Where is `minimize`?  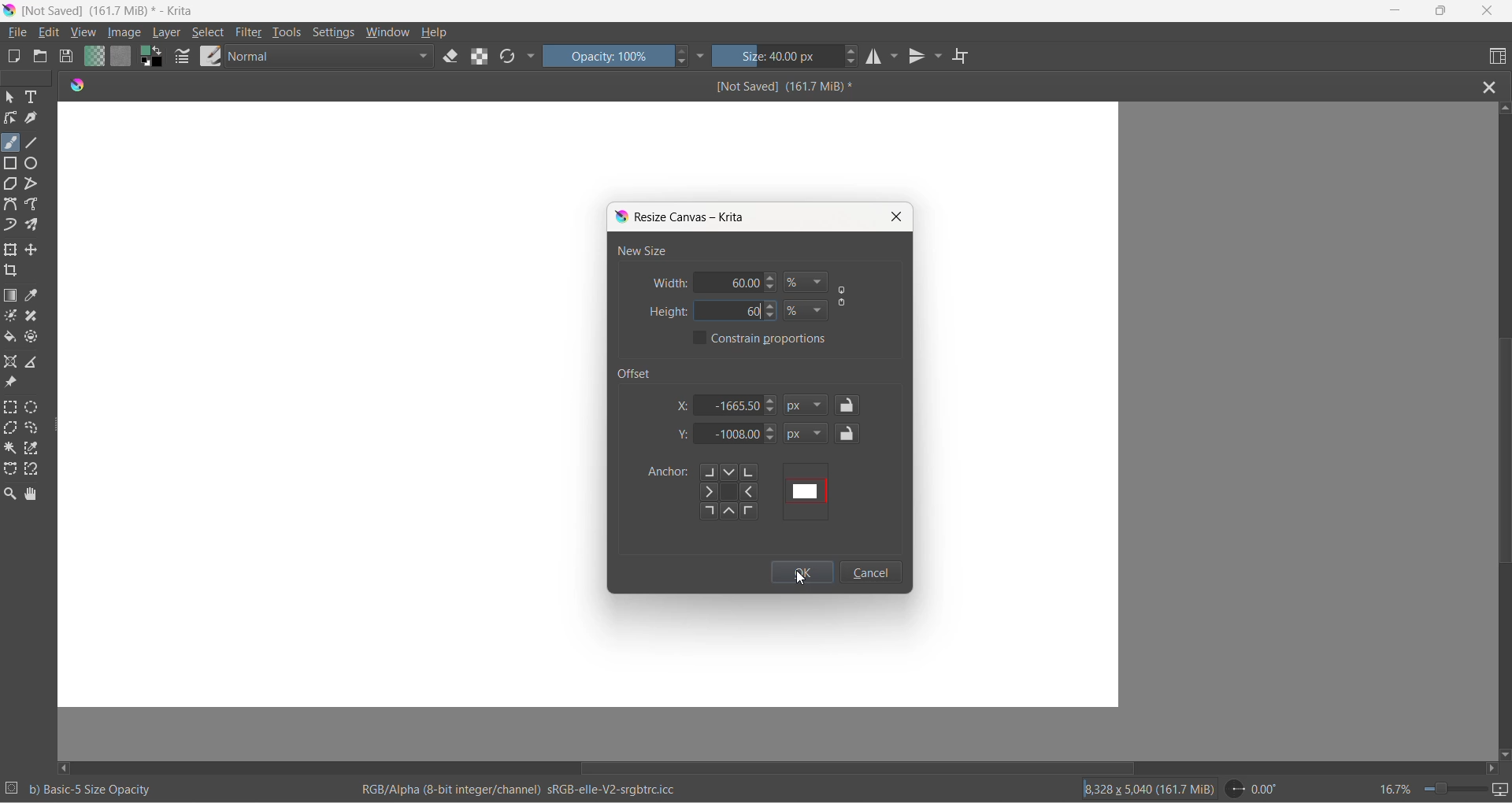
minimize is located at coordinates (1396, 12).